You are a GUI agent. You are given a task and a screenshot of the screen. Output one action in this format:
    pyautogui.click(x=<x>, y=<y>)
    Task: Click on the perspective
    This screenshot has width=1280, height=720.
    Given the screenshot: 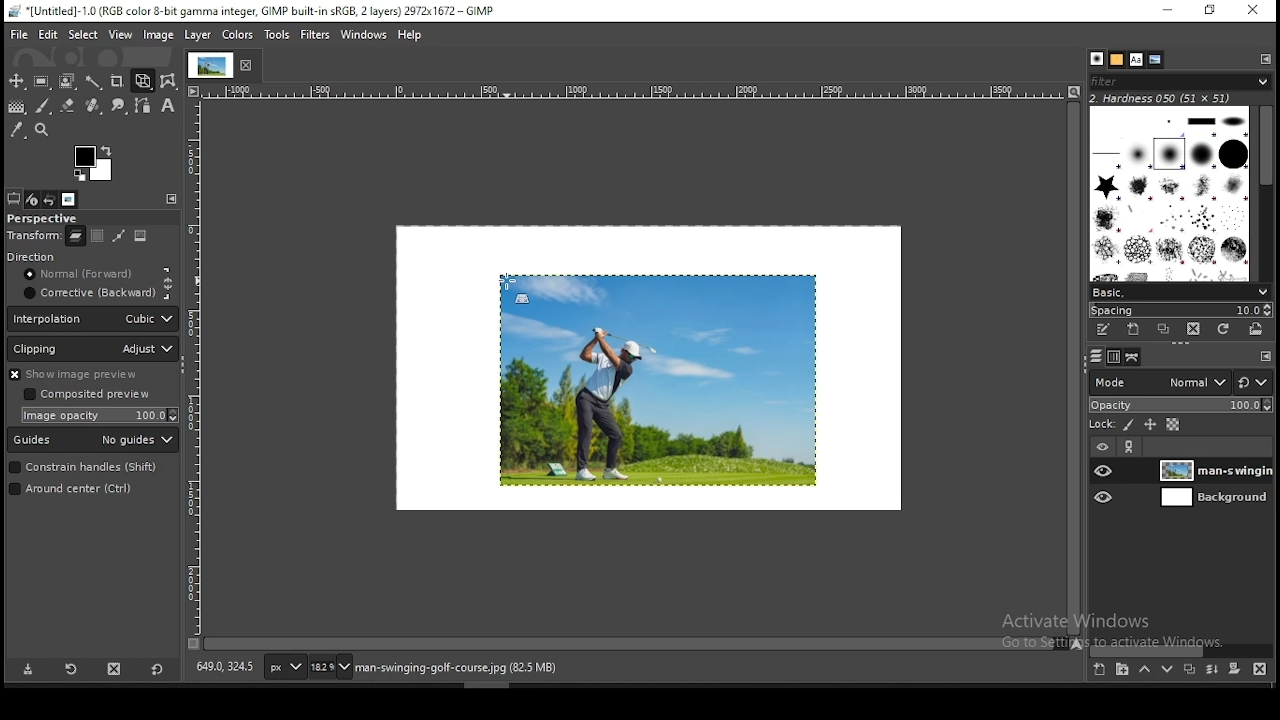 What is the action you would take?
    pyautogui.click(x=59, y=218)
    